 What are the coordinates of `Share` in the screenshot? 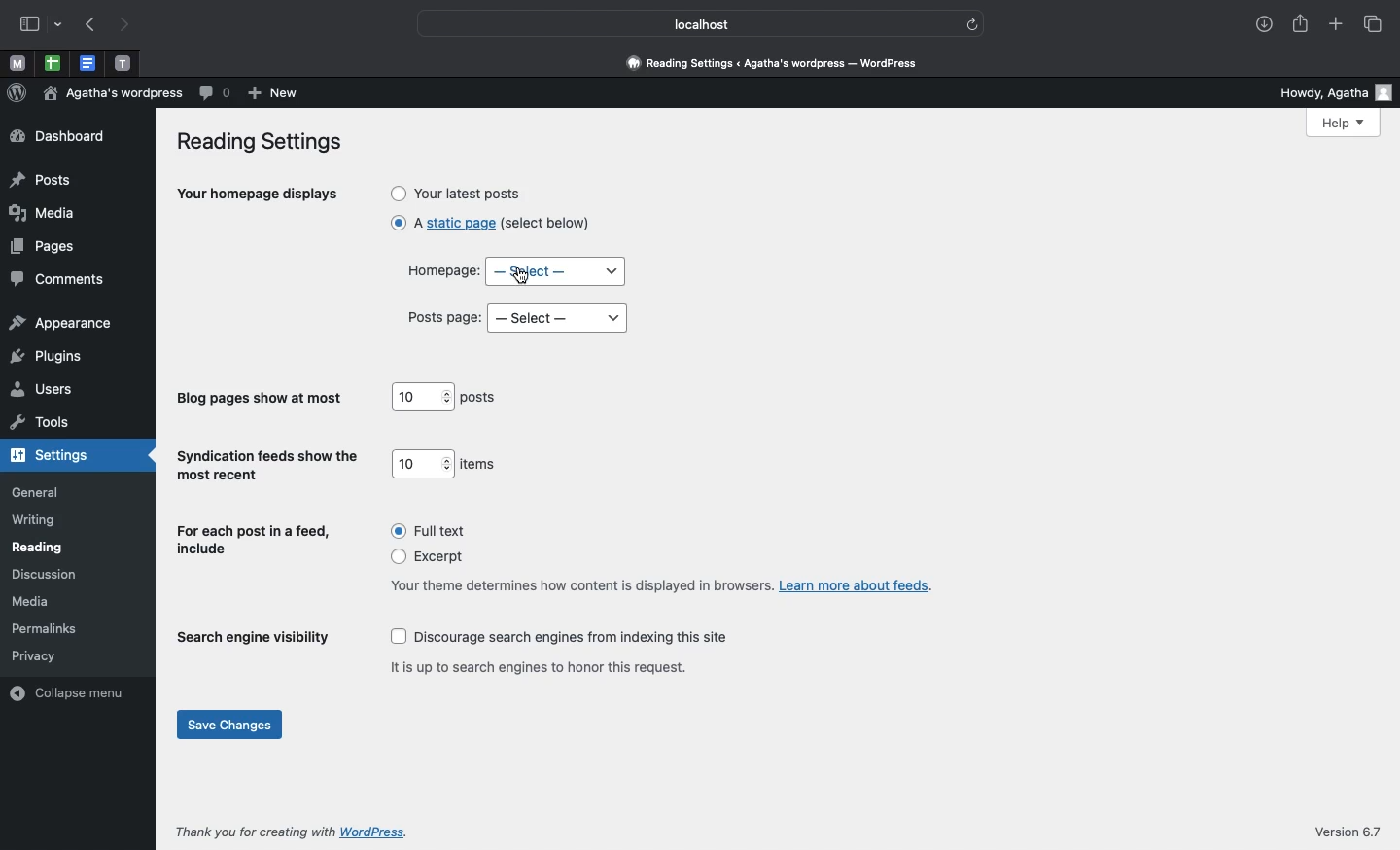 It's located at (1297, 21).